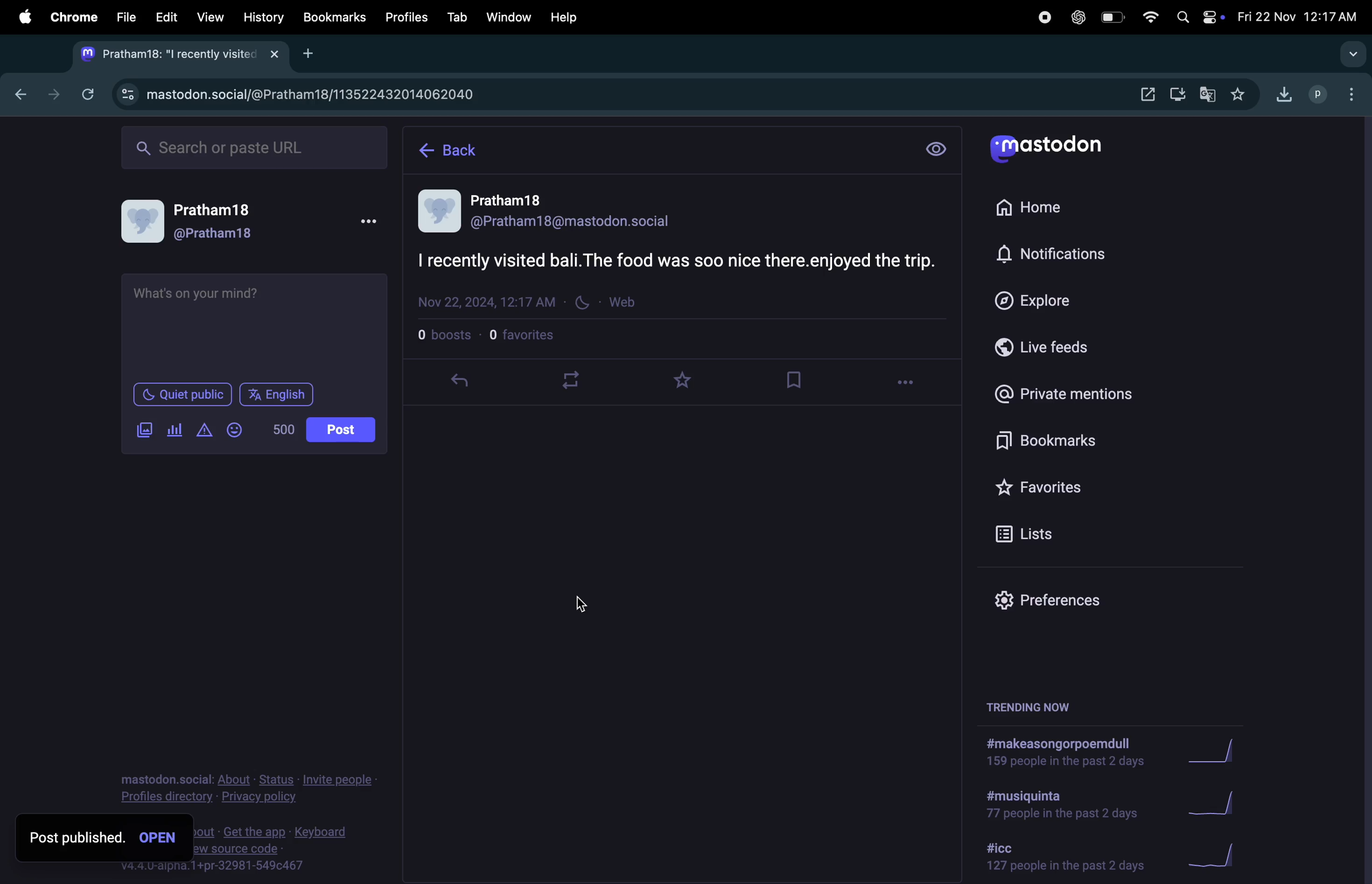  What do you see at coordinates (1111, 18) in the screenshot?
I see `battery` at bounding box center [1111, 18].